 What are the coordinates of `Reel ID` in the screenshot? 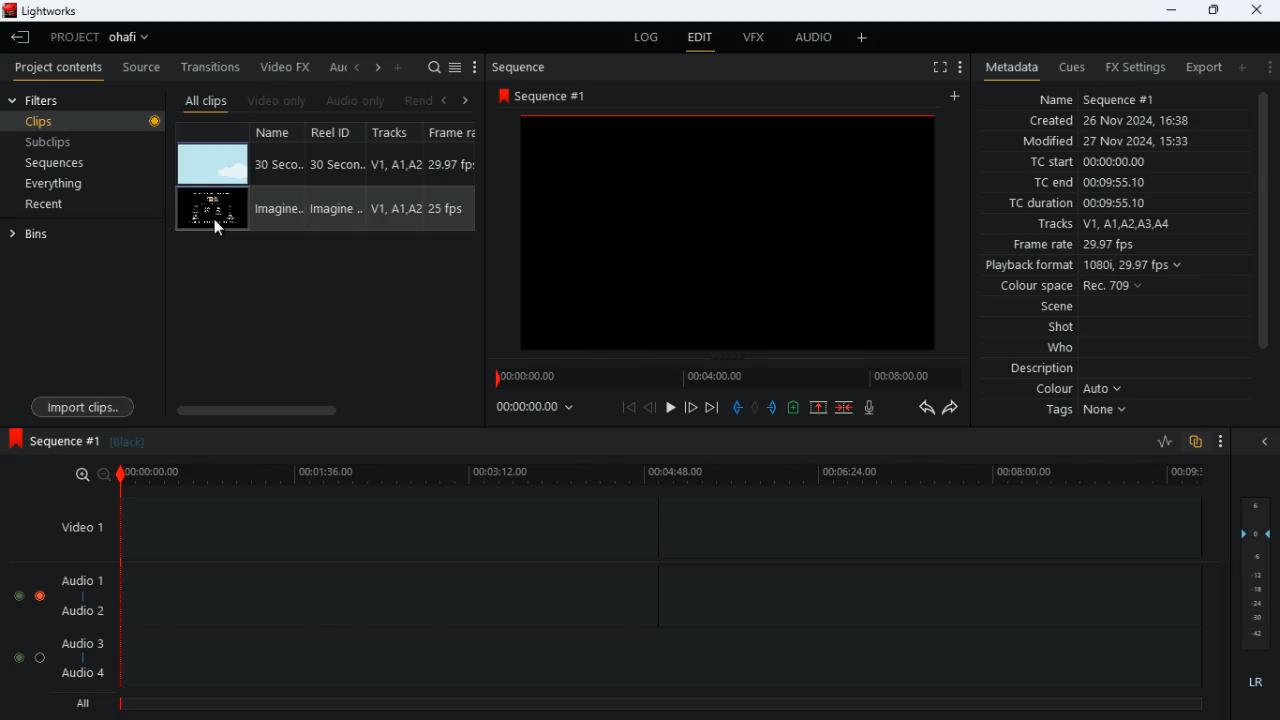 It's located at (338, 165).